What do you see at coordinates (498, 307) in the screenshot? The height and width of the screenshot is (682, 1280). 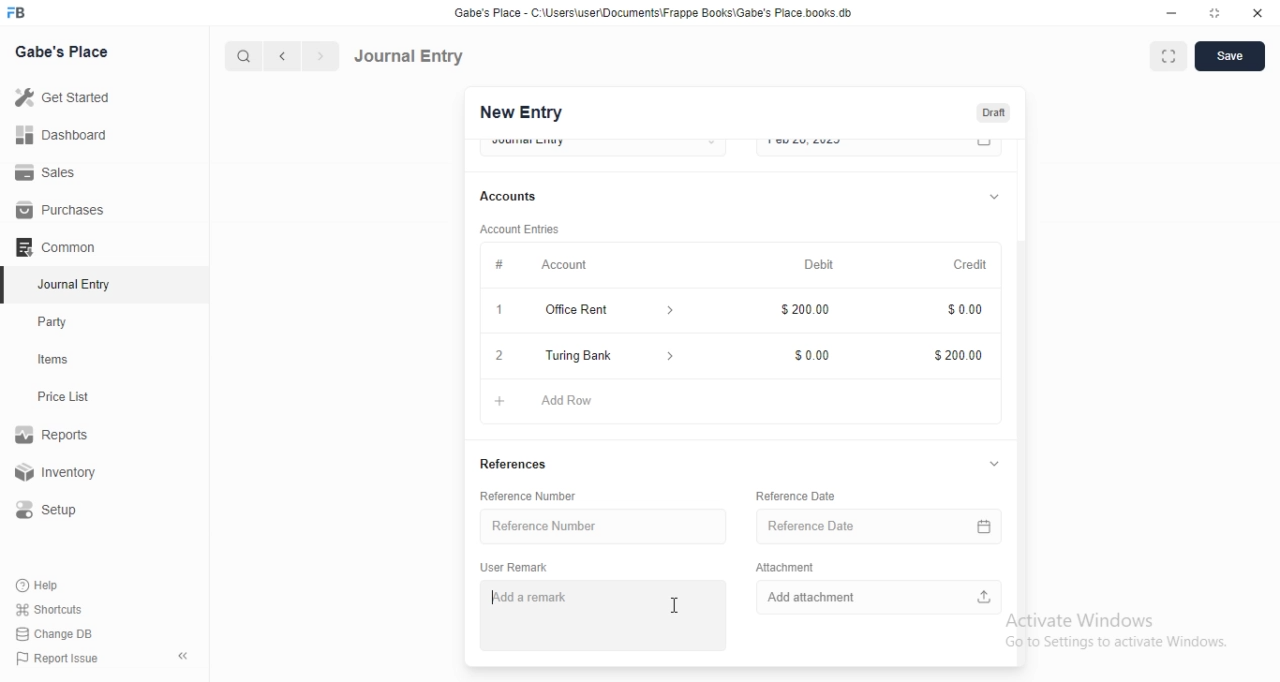 I see `1` at bounding box center [498, 307].